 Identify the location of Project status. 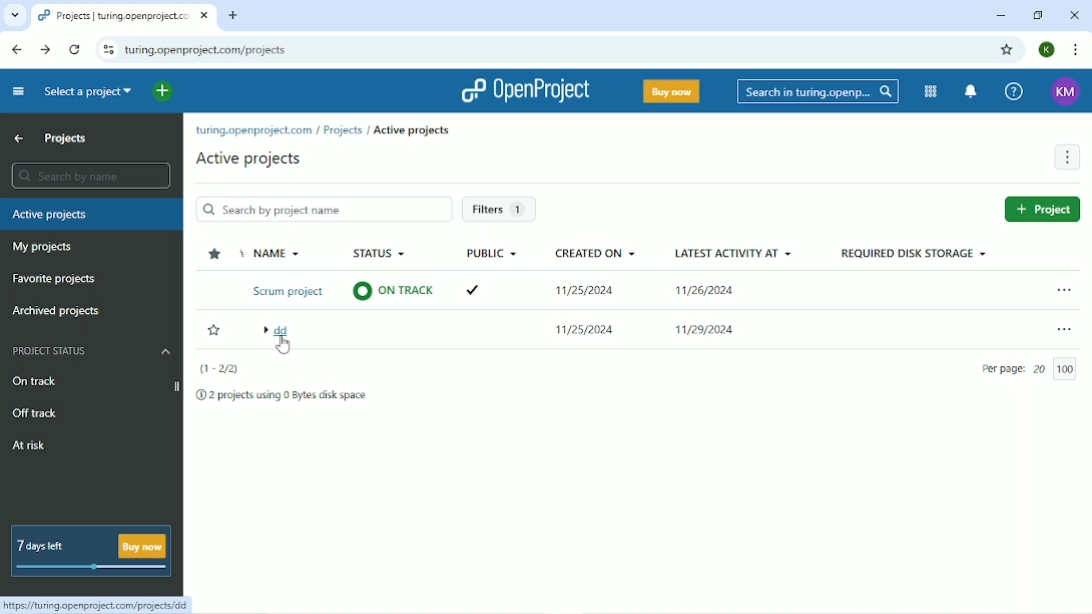
(92, 352).